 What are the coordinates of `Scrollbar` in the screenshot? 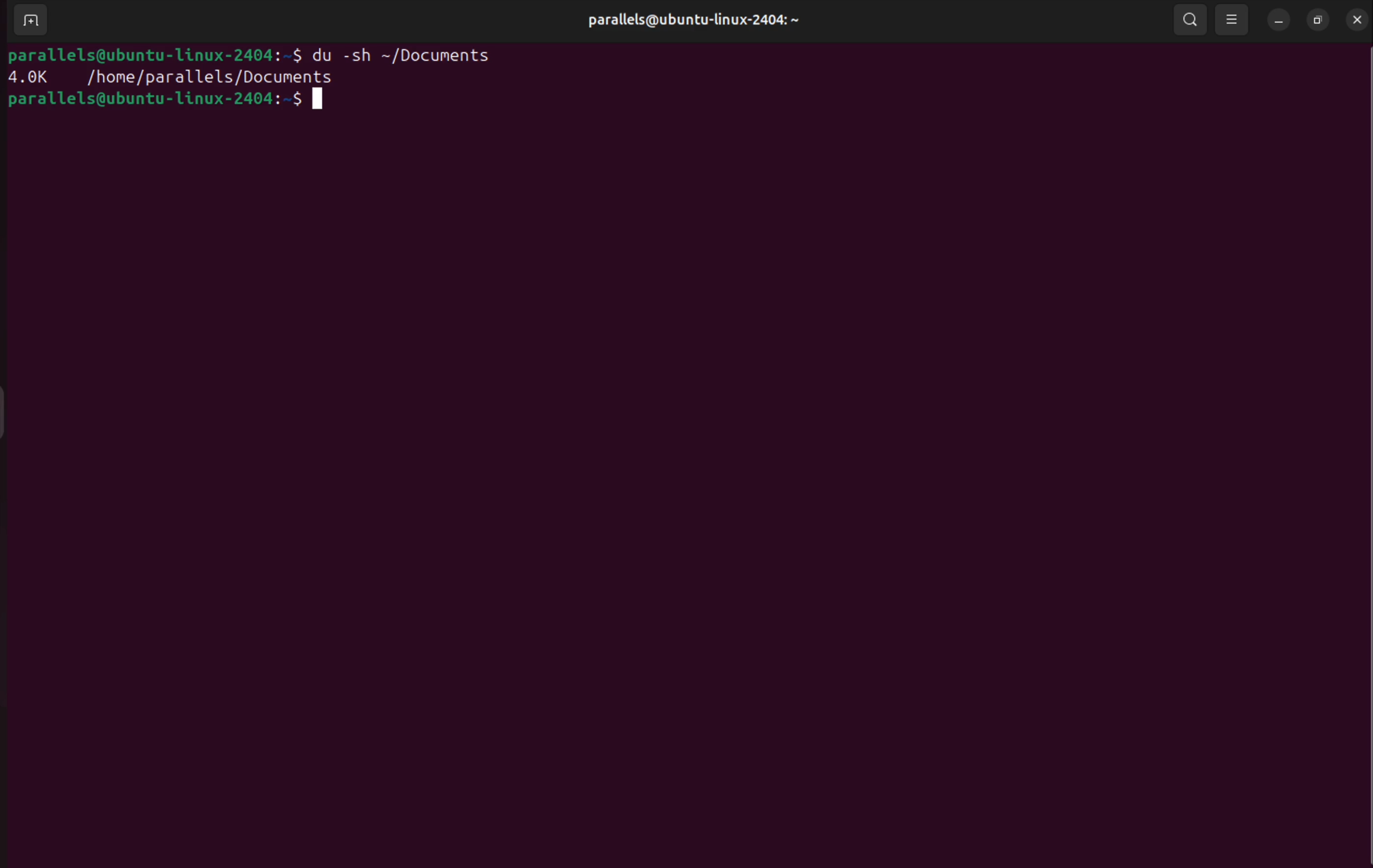 It's located at (1364, 430).